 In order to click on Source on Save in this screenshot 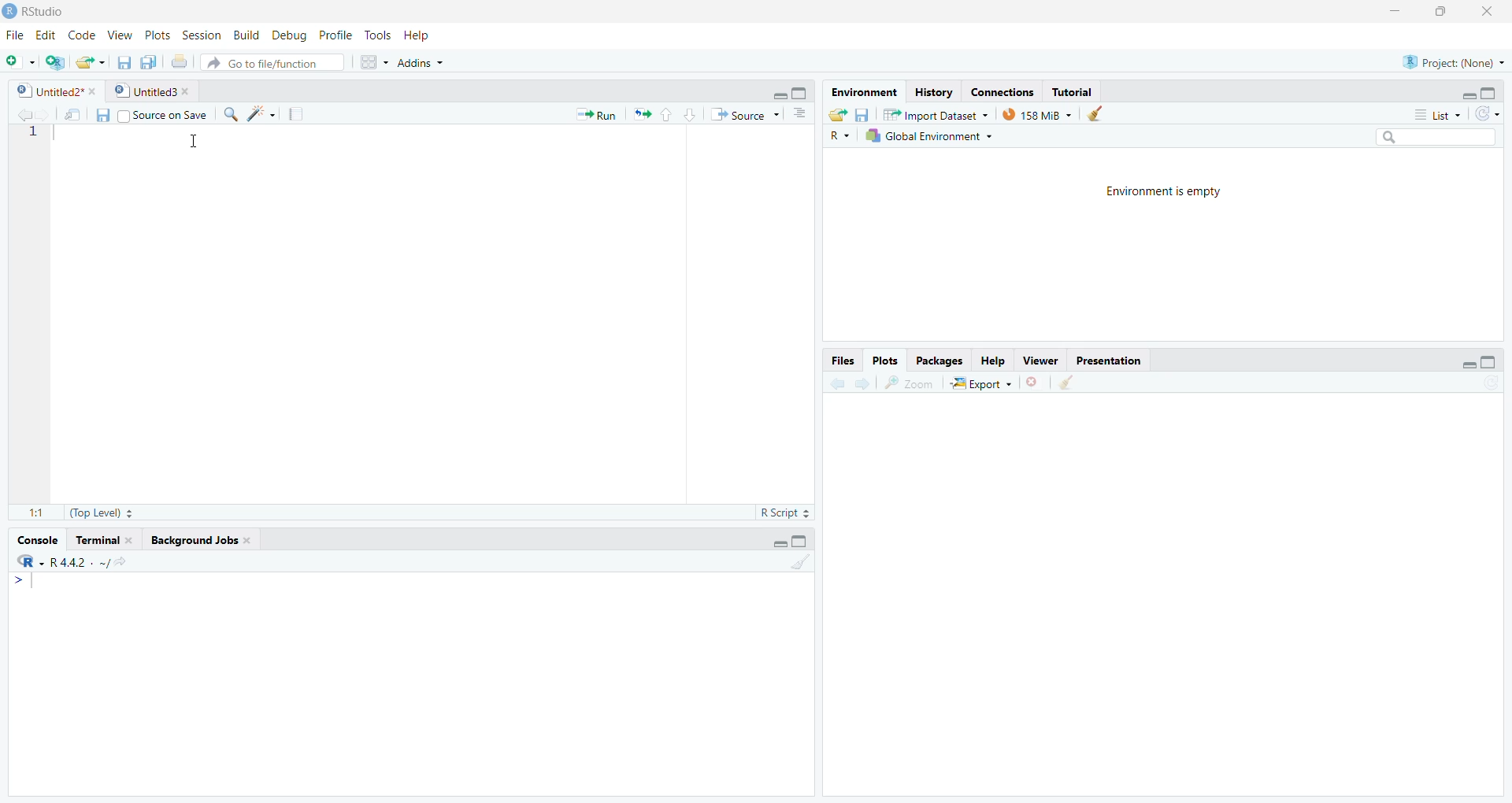, I will do `click(166, 114)`.